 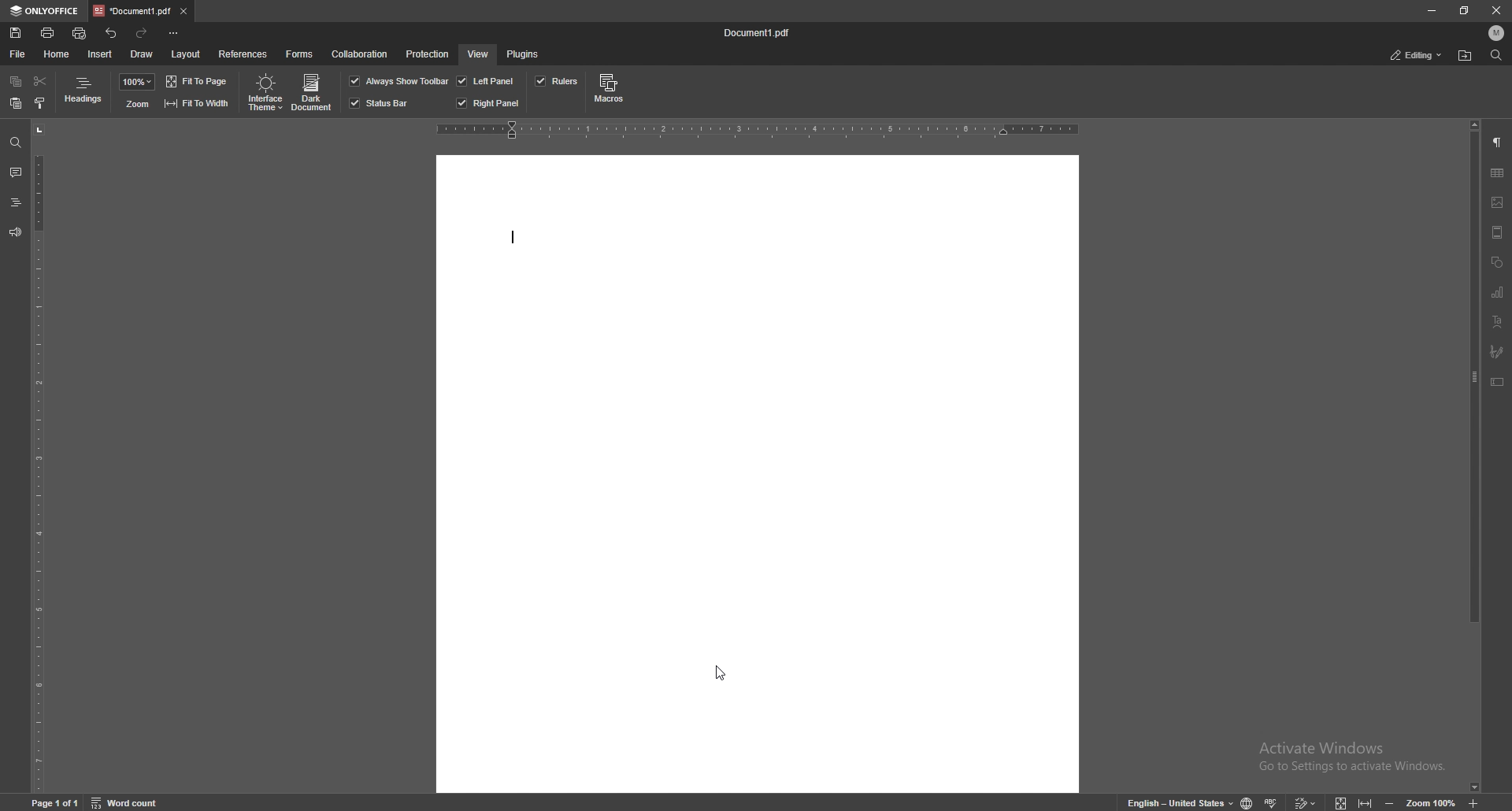 I want to click on fit to screen, so click(x=1342, y=802).